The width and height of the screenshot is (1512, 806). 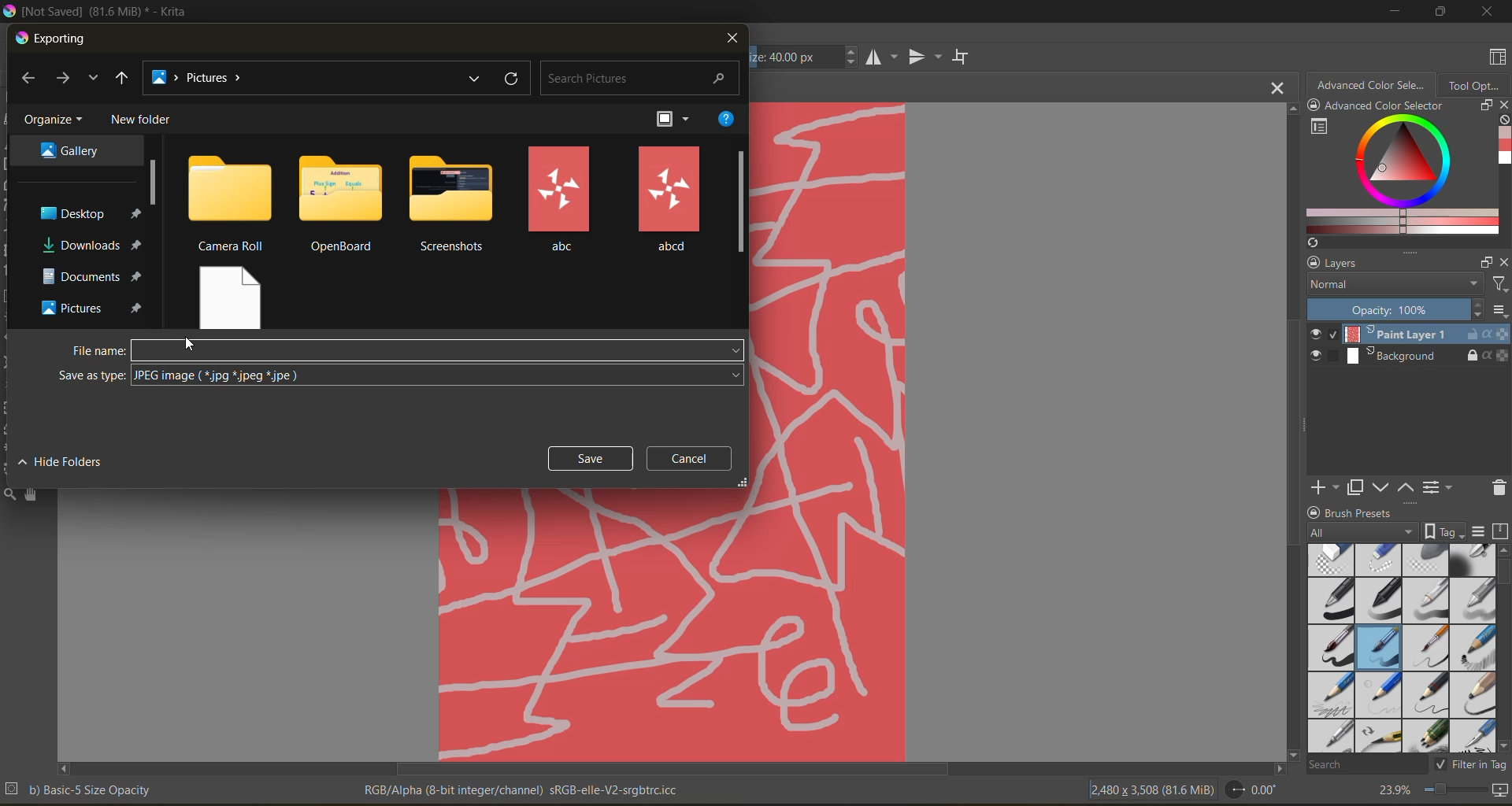 What do you see at coordinates (1478, 531) in the screenshot?
I see `display settings` at bounding box center [1478, 531].